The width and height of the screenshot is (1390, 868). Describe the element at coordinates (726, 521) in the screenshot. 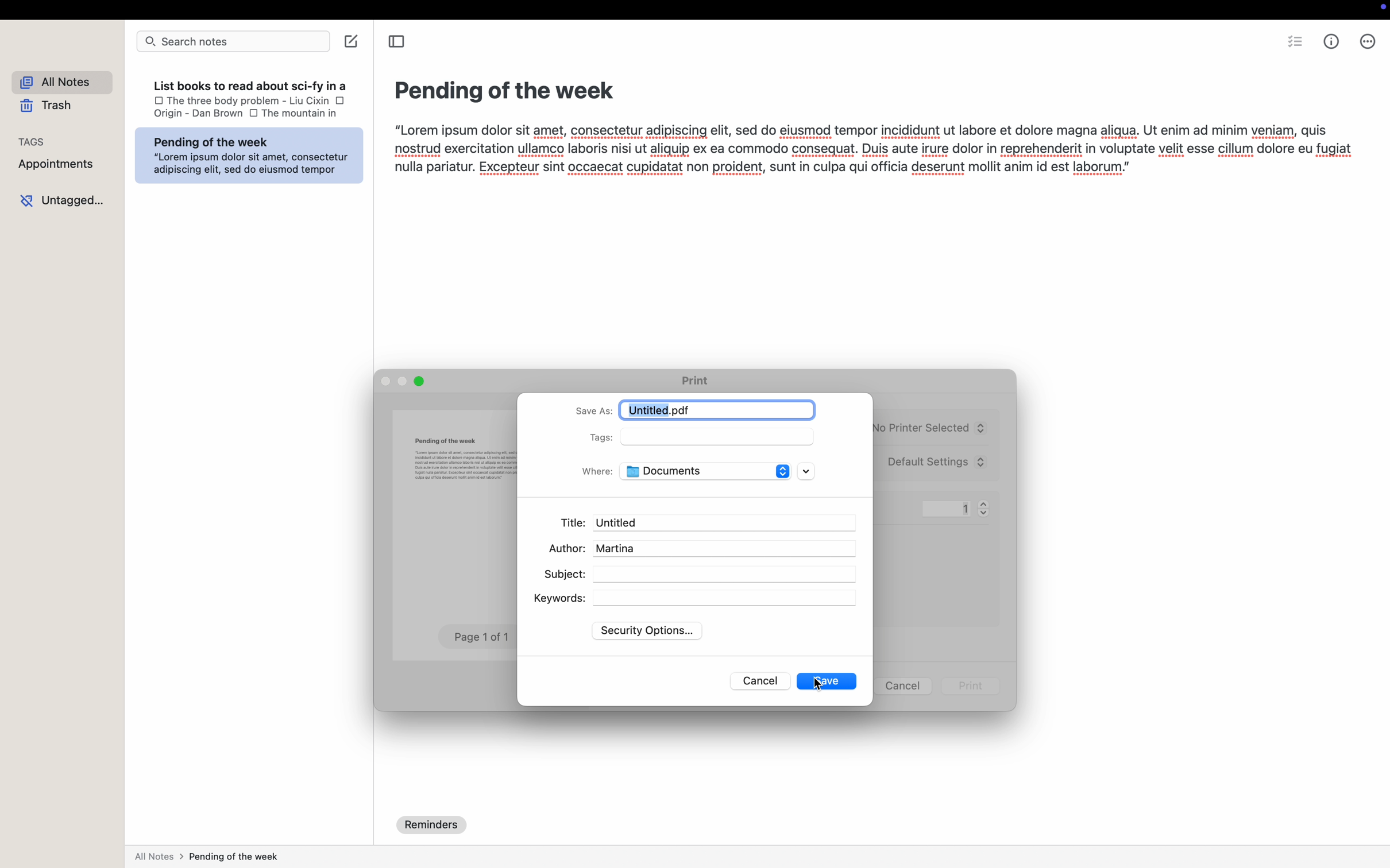

I see `Untitled` at that location.